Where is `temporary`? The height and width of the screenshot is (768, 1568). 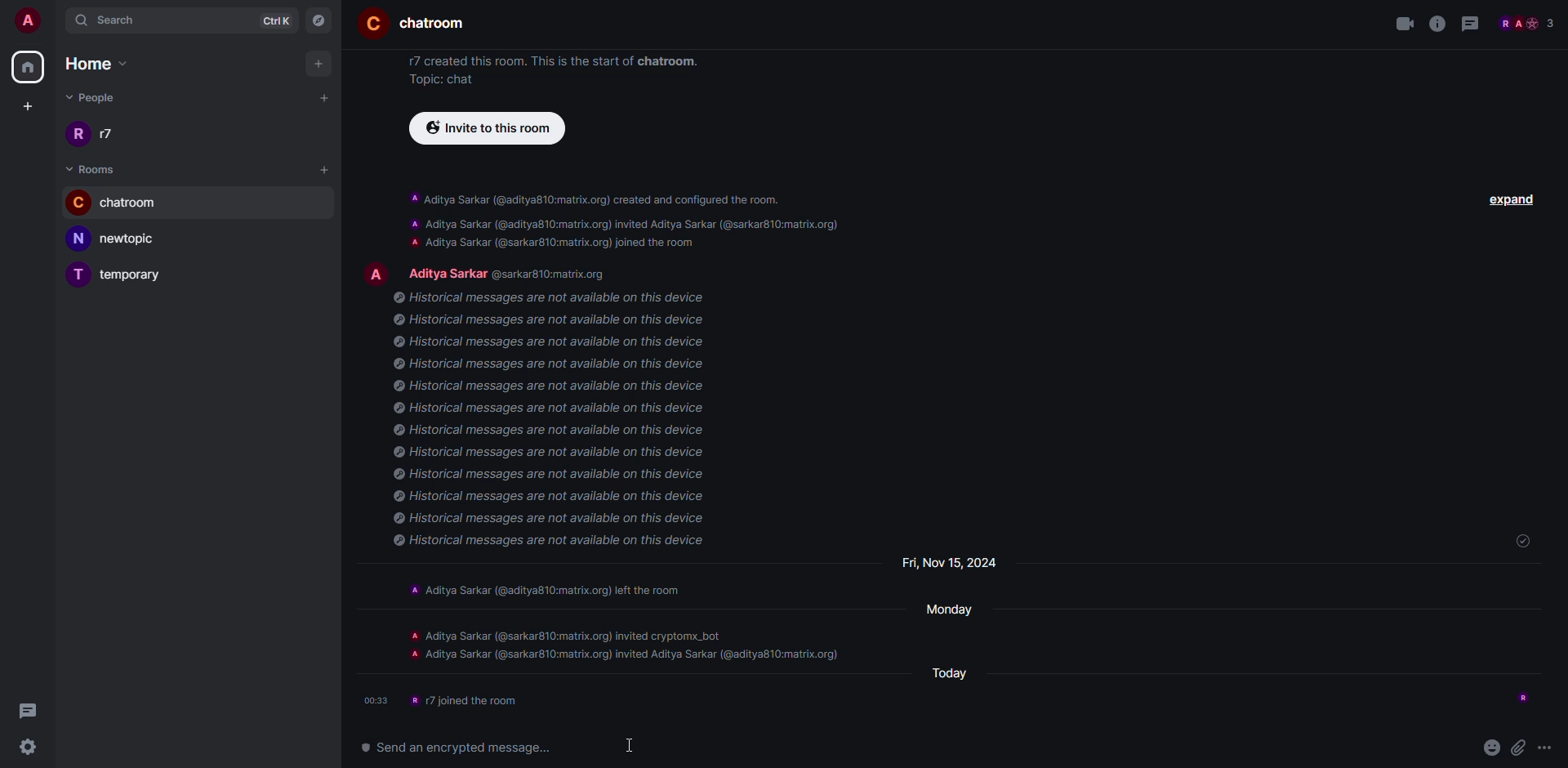
temporary is located at coordinates (125, 274).